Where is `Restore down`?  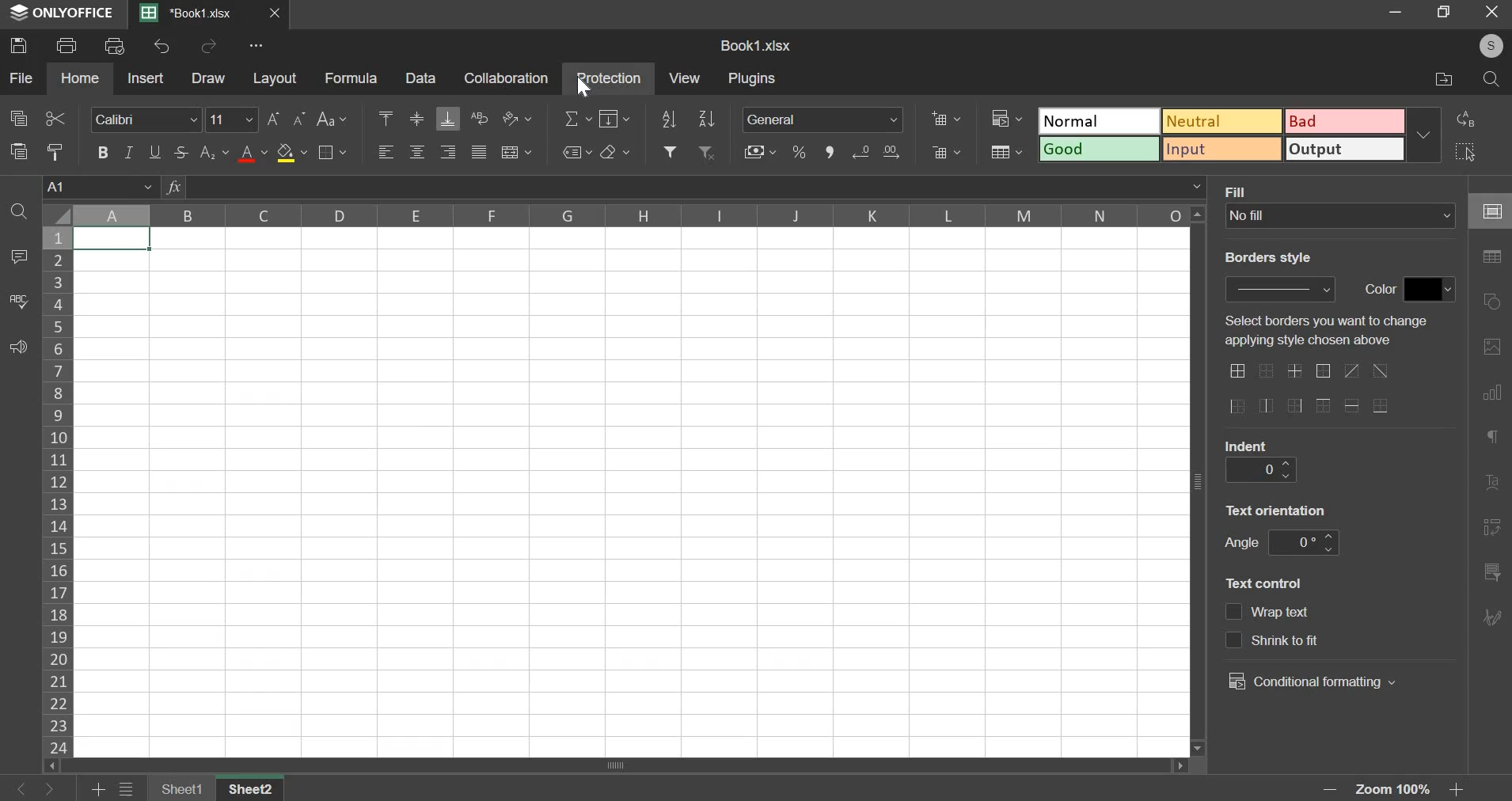
Restore down is located at coordinates (1396, 11).